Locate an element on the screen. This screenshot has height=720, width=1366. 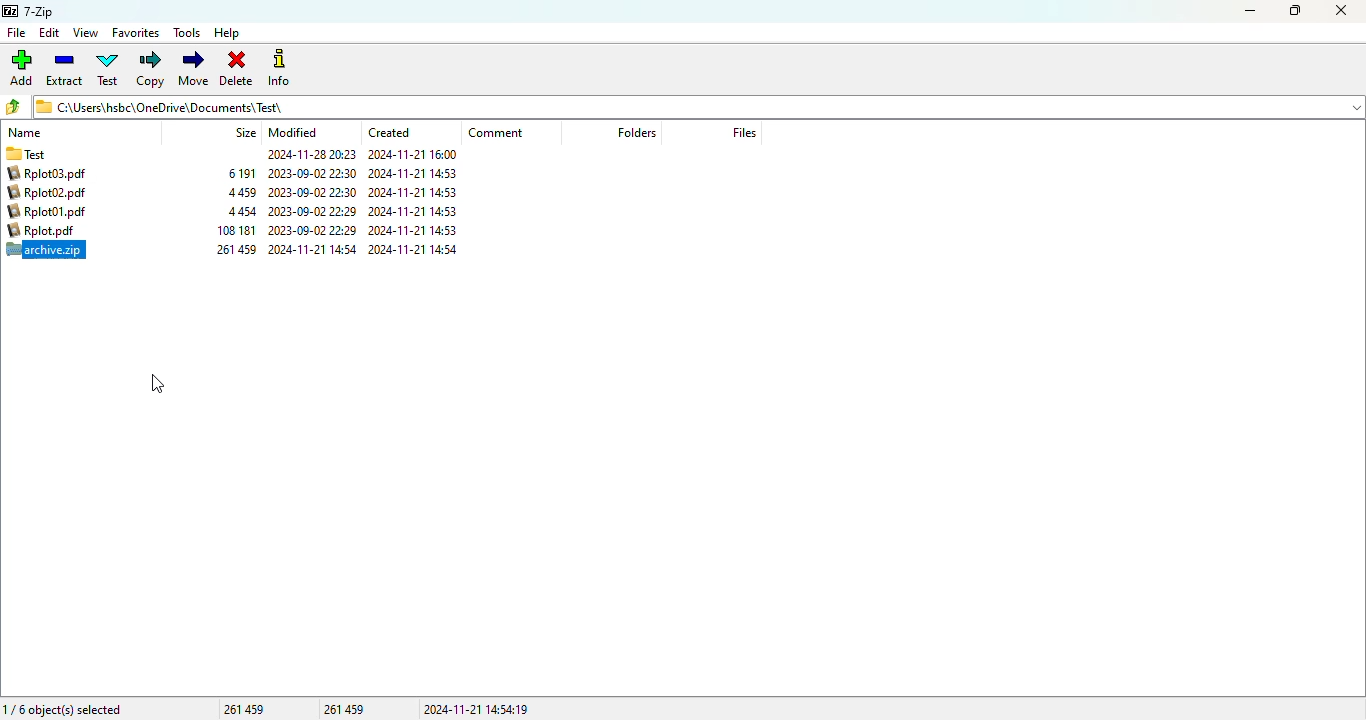
Rplot01.pdf 4454 2023-00-02 22:29 2024-11-21 14:53 is located at coordinates (53, 229).